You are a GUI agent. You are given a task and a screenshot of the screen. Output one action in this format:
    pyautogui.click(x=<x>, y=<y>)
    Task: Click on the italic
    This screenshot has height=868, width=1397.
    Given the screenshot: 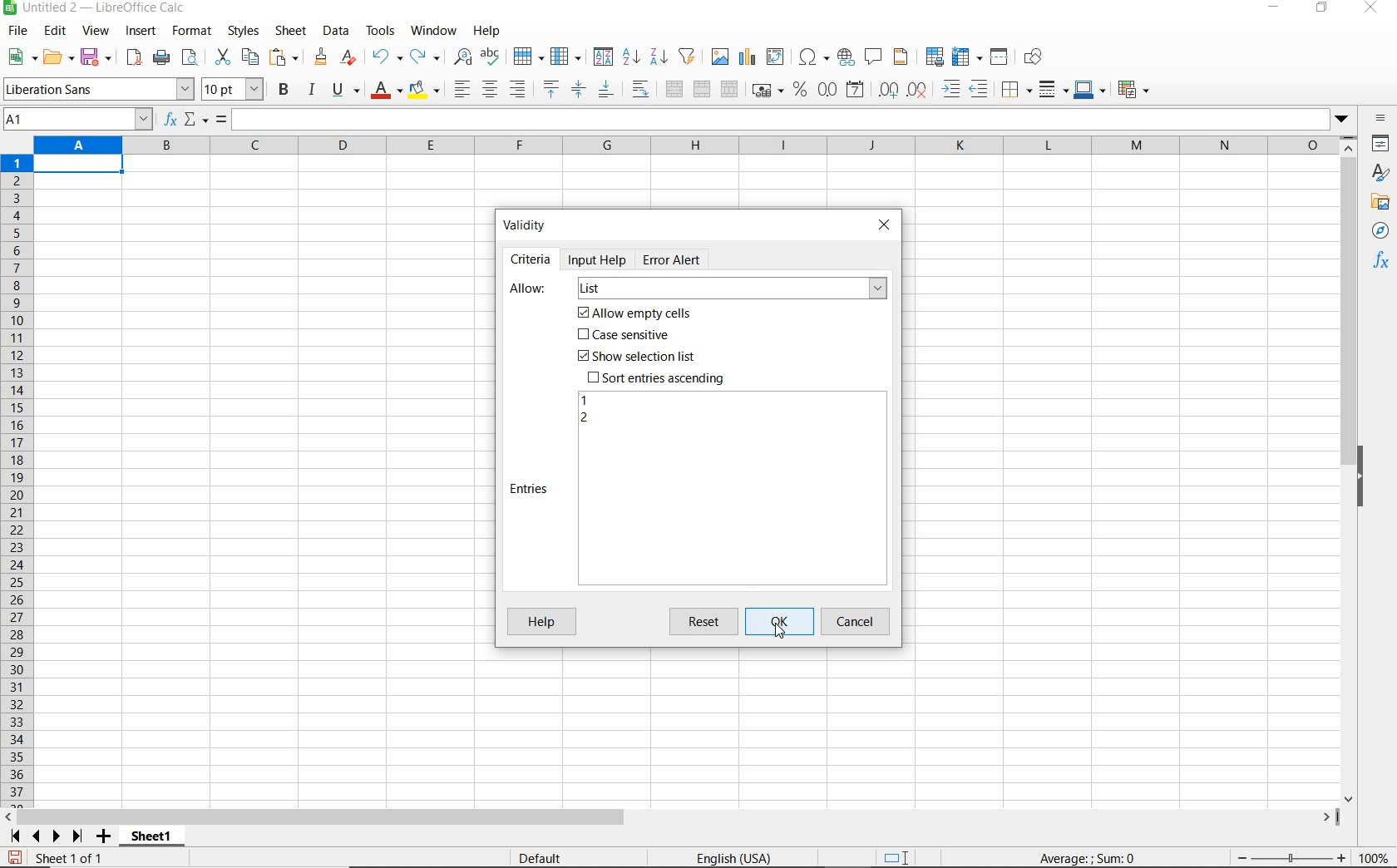 What is the action you would take?
    pyautogui.click(x=311, y=90)
    